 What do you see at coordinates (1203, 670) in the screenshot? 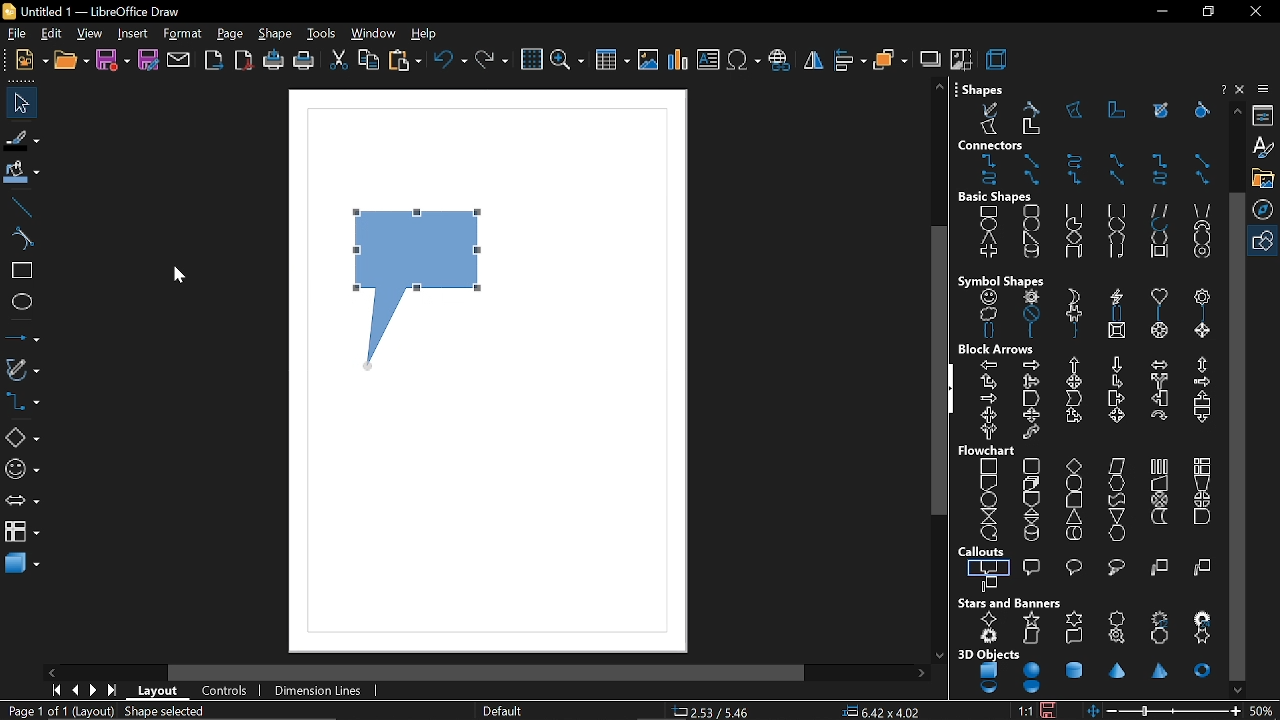
I see `torus` at bounding box center [1203, 670].